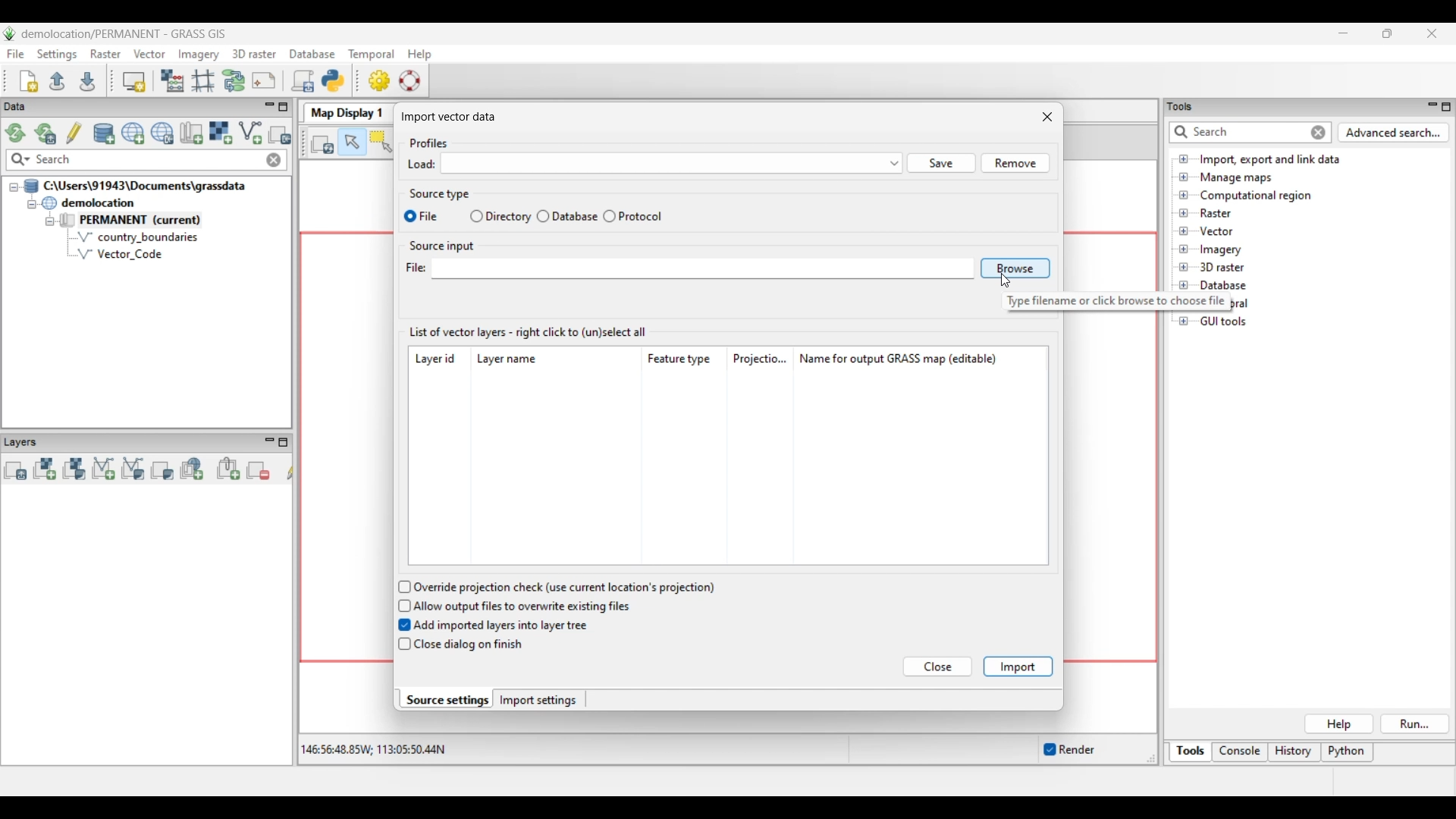  Describe the element at coordinates (28, 107) in the screenshot. I see `Data` at that location.